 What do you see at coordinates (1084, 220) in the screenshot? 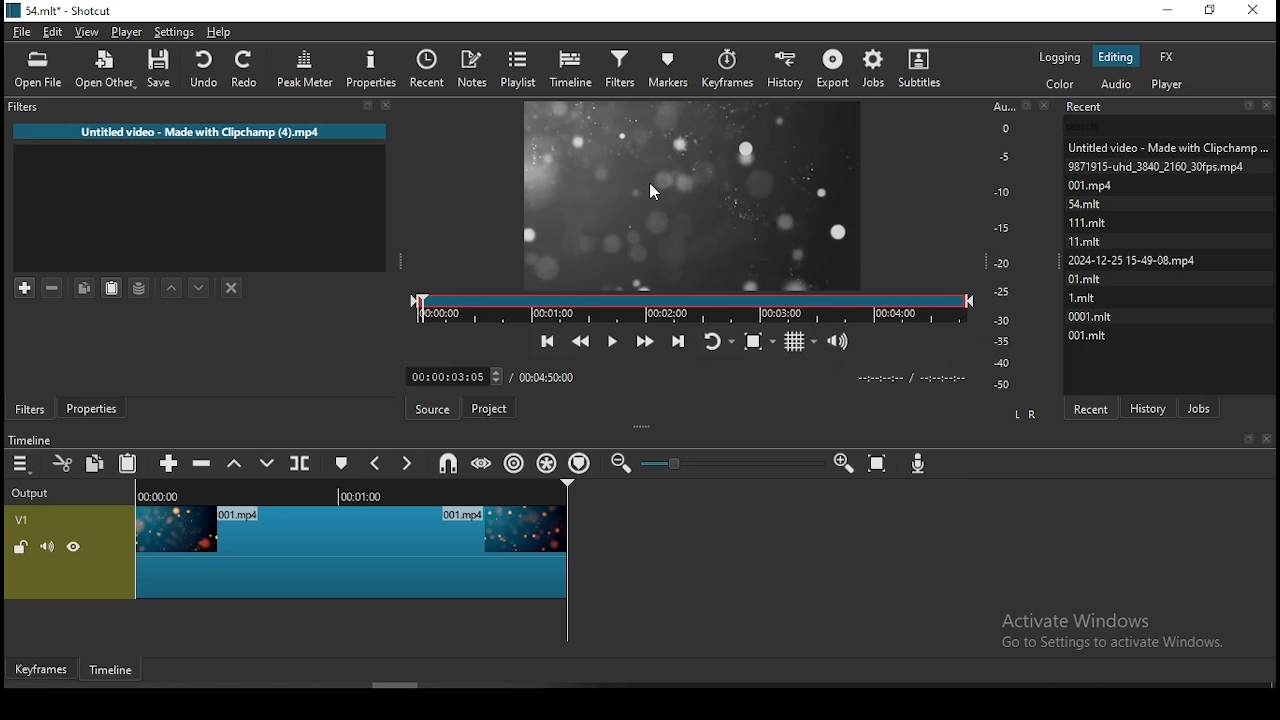
I see `files` at bounding box center [1084, 220].